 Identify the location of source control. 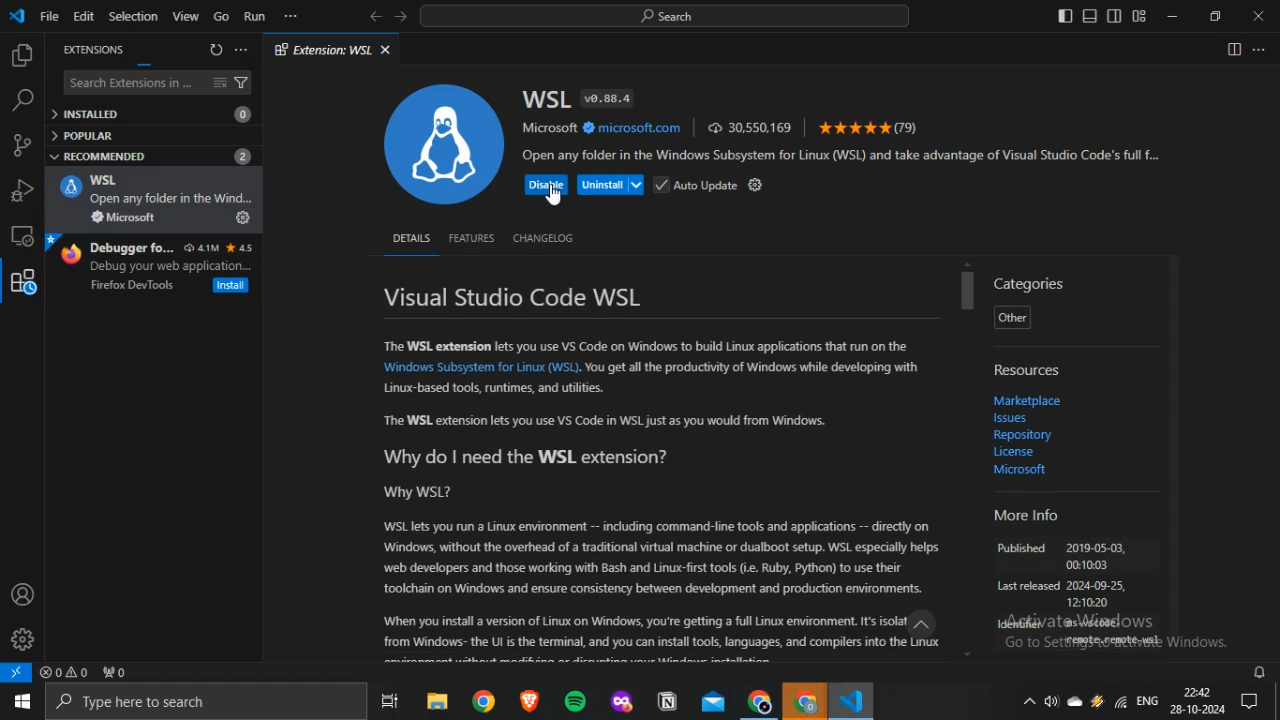
(21, 145).